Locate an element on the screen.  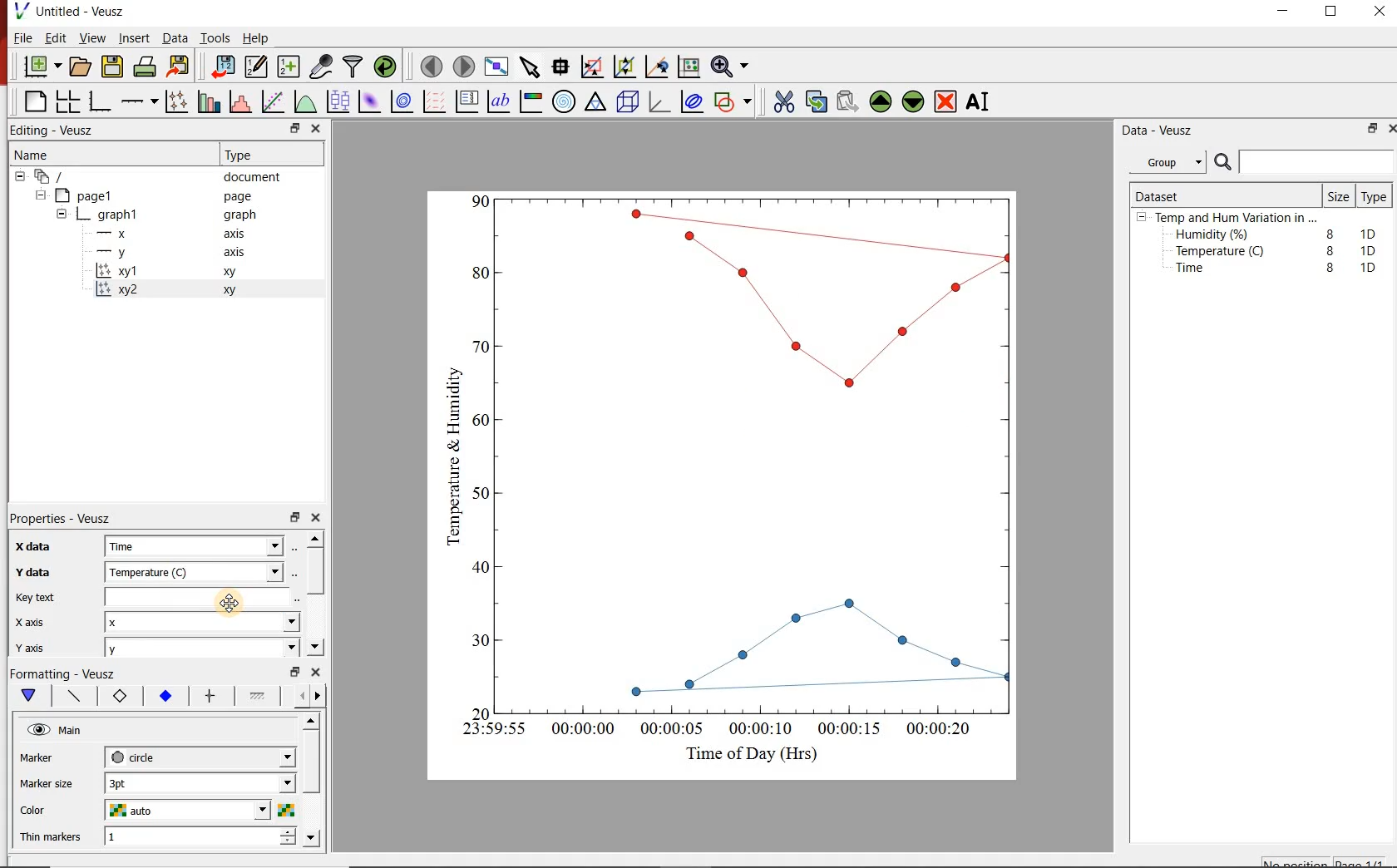
Select using dataset browser is located at coordinates (300, 547).